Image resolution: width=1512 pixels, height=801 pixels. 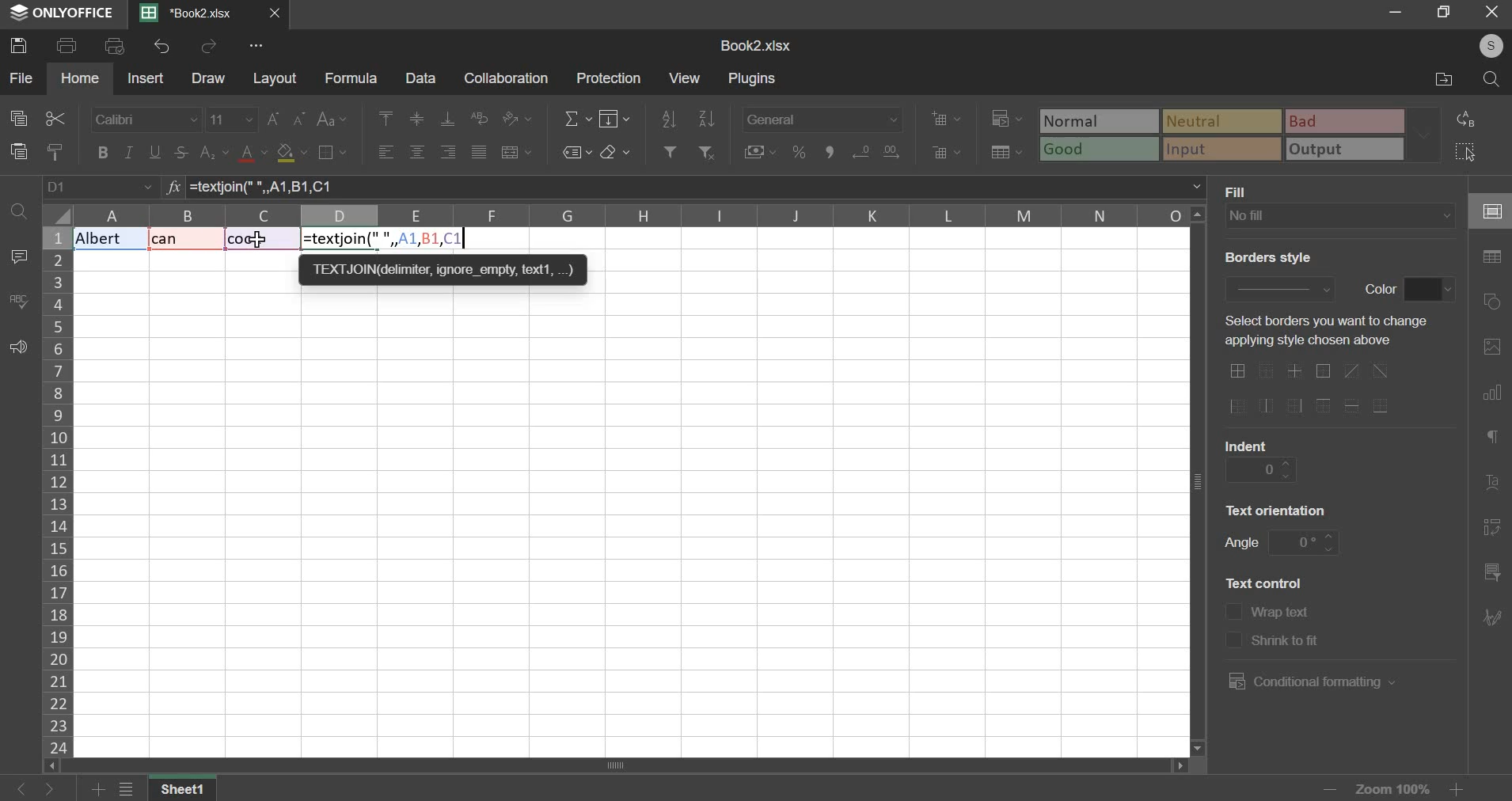 What do you see at coordinates (891, 149) in the screenshot?
I see `decrease decimals` at bounding box center [891, 149].